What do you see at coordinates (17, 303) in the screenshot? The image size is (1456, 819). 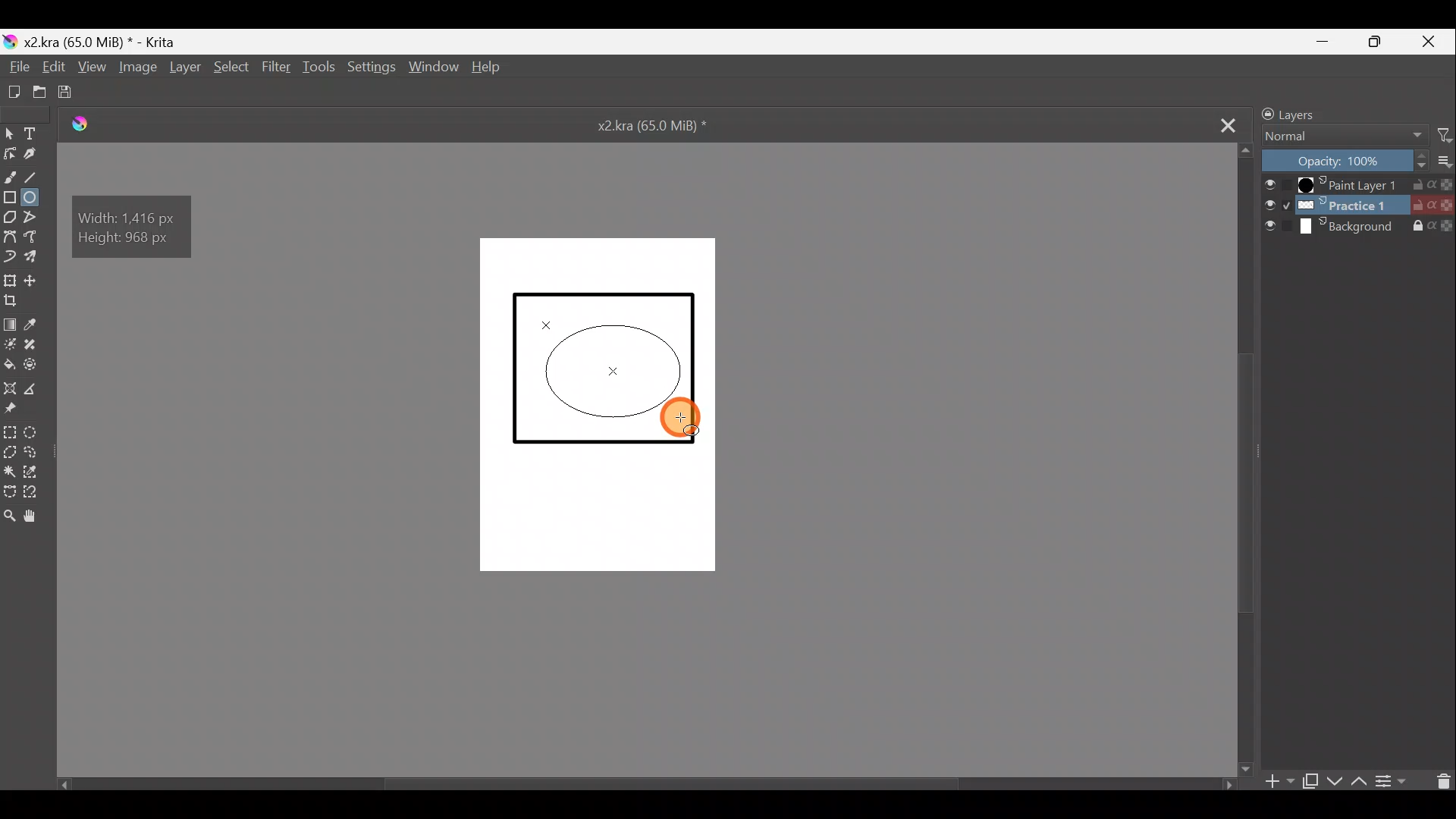 I see `Crop image to an area` at bounding box center [17, 303].